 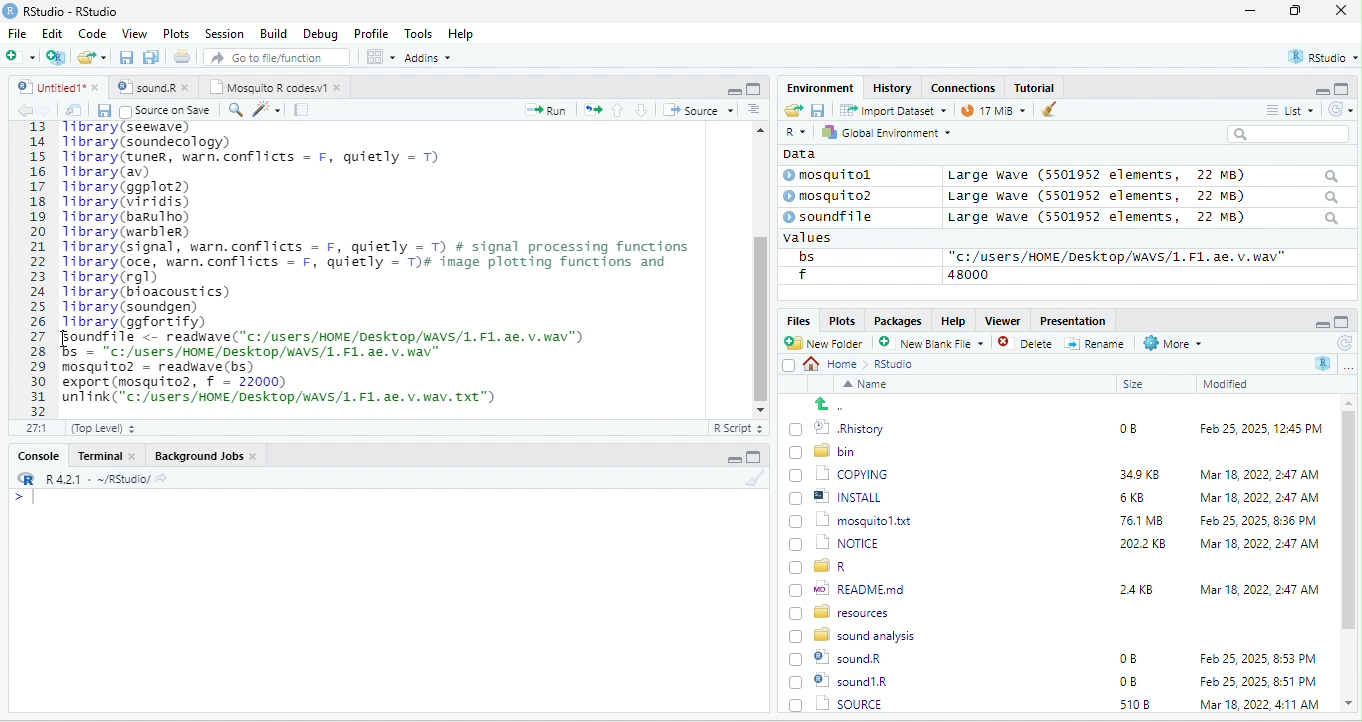 What do you see at coordinates (1144, 219) in the screenshot?
I see `Large wave (5501952 elements, 22 MB)` at bounding box center [1144, 219].